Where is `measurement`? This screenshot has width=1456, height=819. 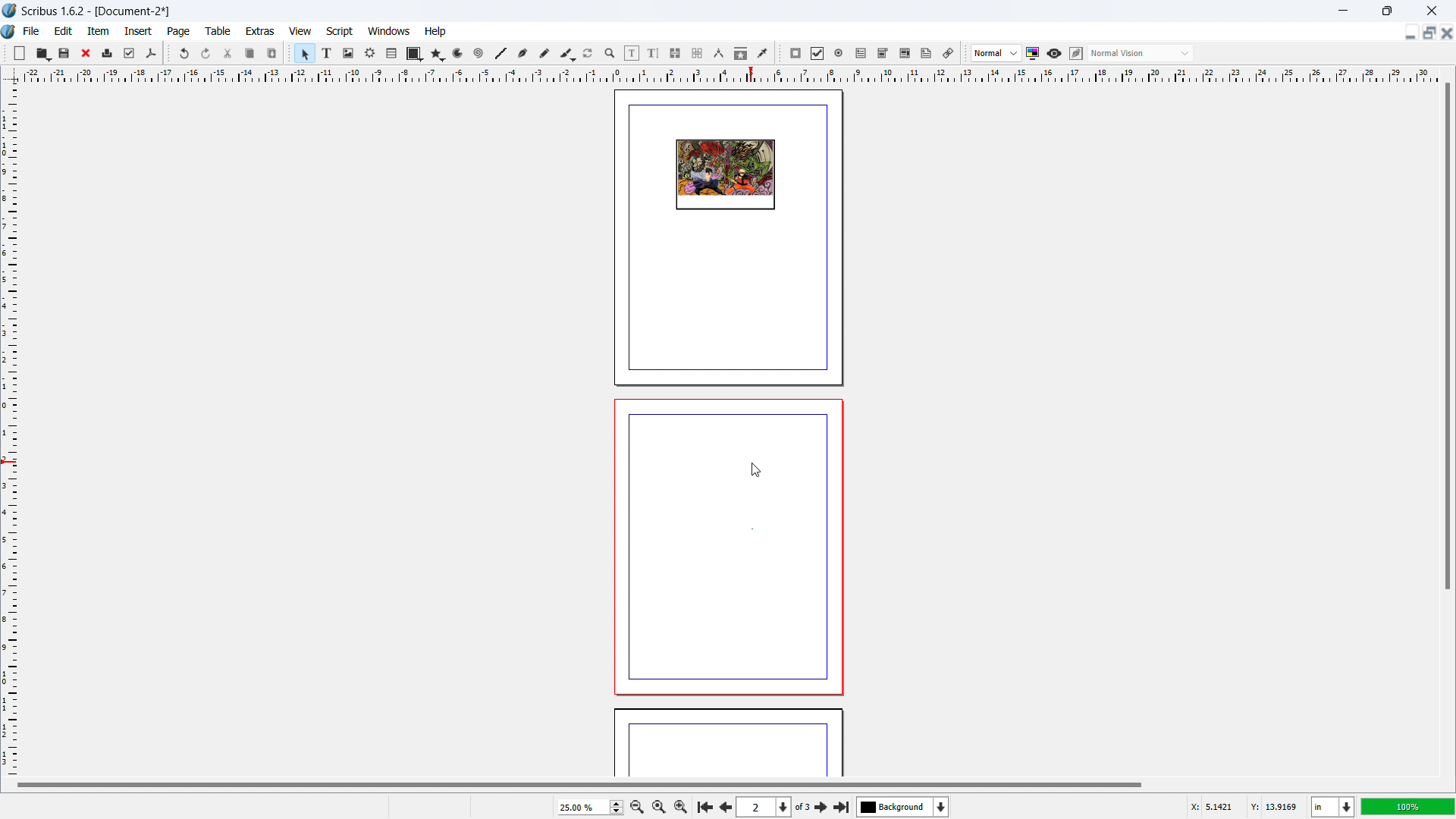
measurement is located at coordinates (718, 54).